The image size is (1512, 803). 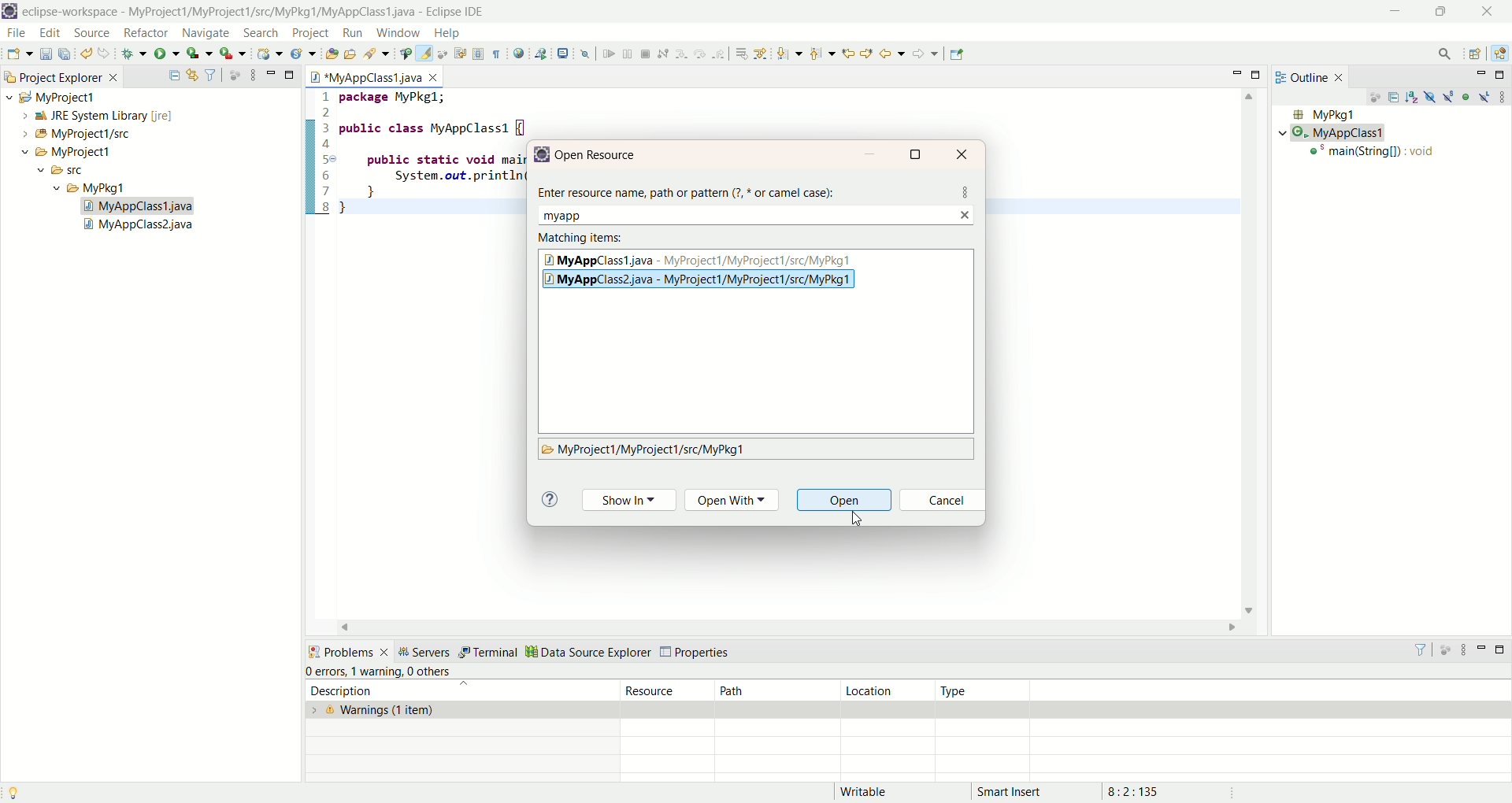 What do you see at coordinates (88, 54) in the screenshot?
I see `undo` at bounding box center [88, 54].